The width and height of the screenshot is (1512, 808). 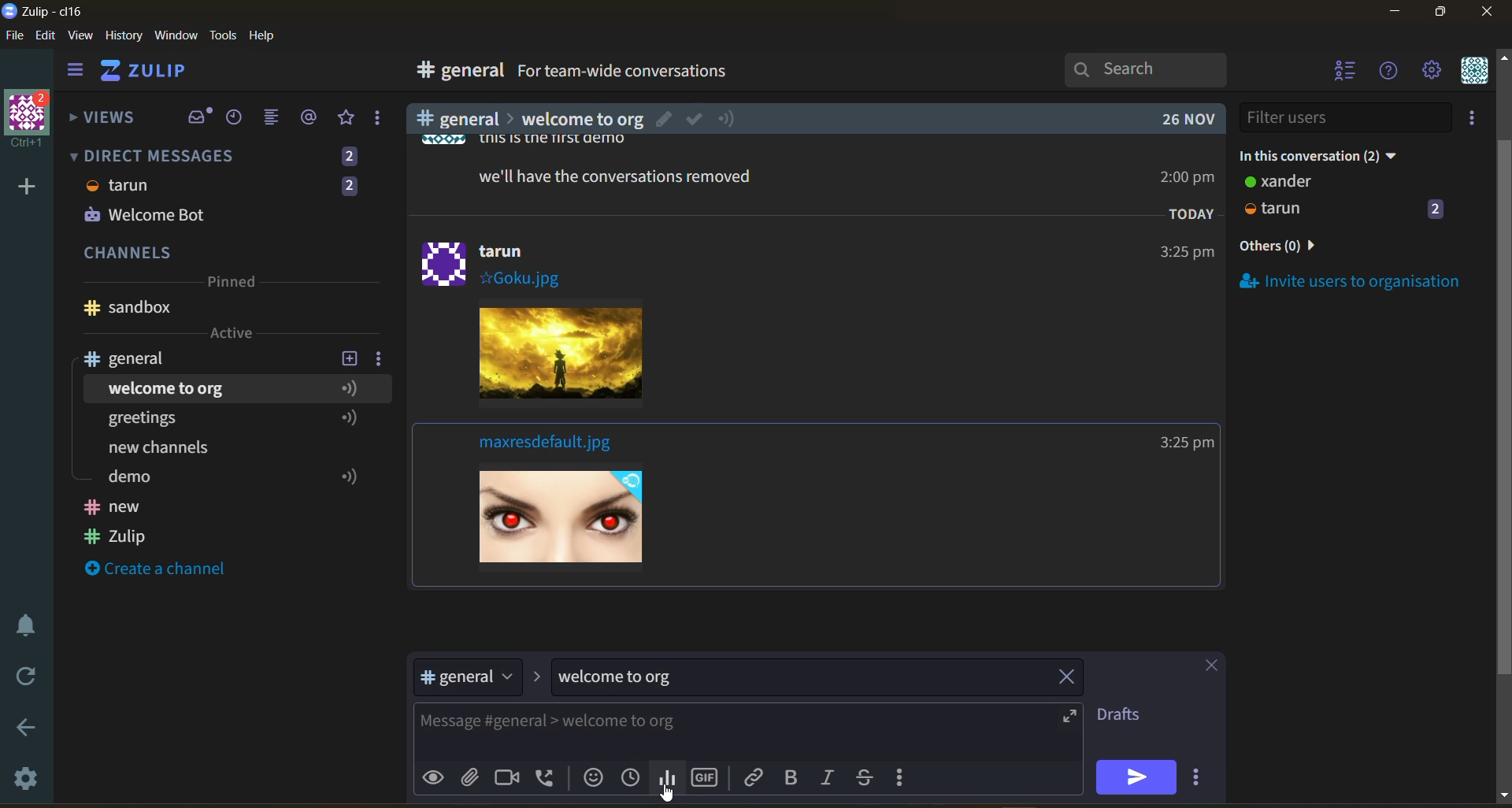 What do you see at coordinates (1503, 421) in the screenshot?
I see `Scroll bar` at bounding box center [1503, 421].